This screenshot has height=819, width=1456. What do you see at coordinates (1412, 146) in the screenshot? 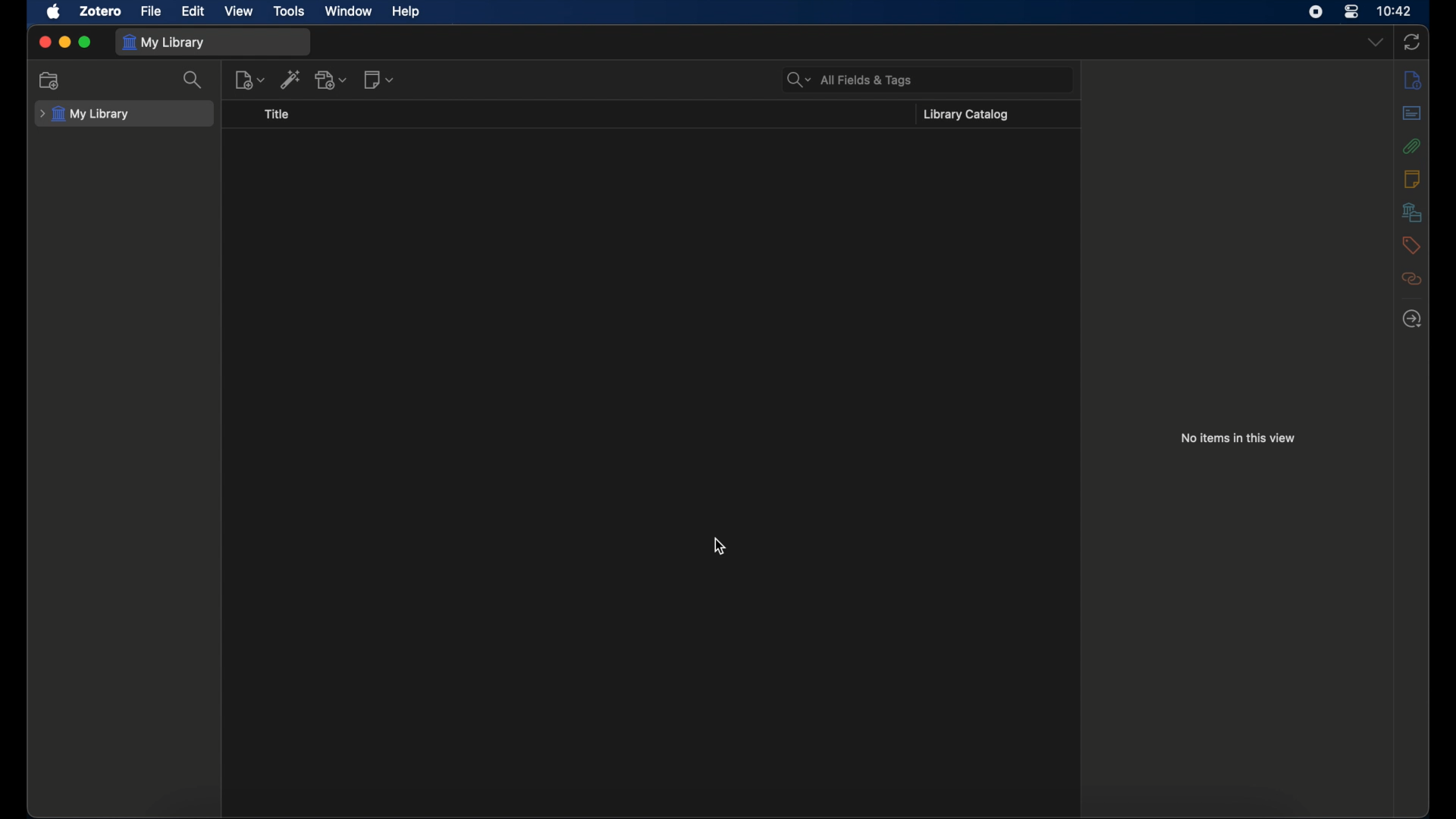
I see `attachments` at bounding box center [1412, 146].